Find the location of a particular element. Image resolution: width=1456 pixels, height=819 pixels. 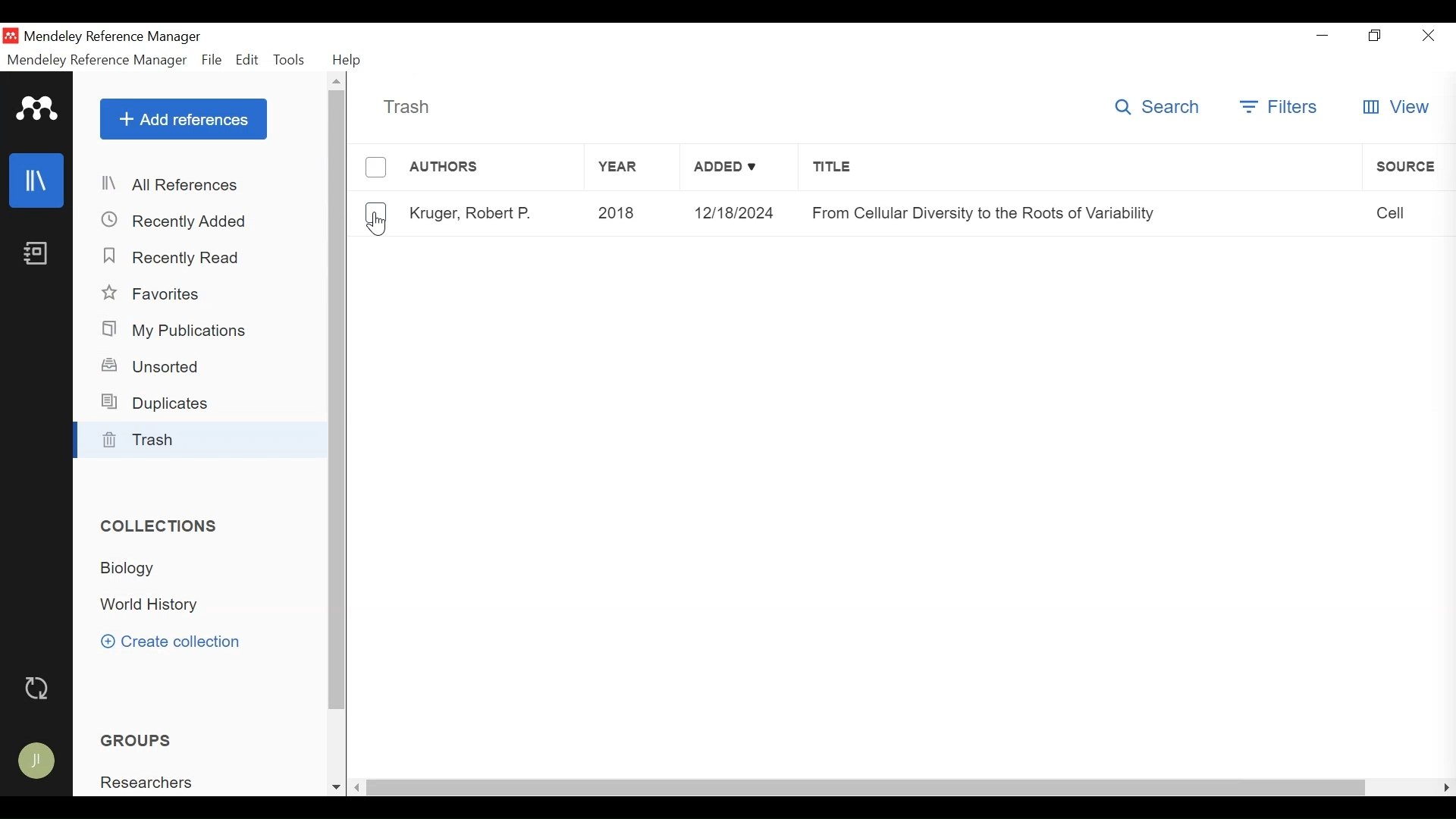

Create Collection is located at coordinates (175, 642).